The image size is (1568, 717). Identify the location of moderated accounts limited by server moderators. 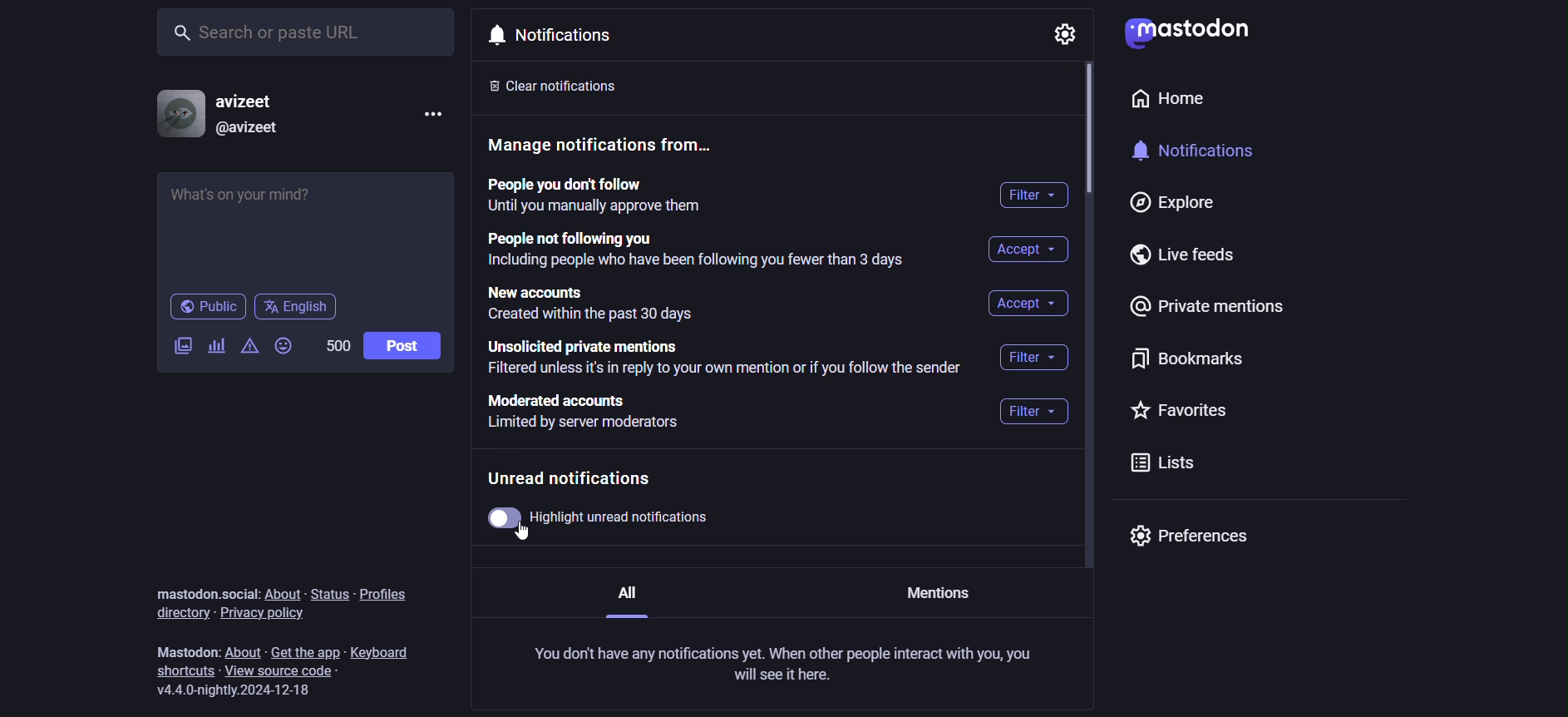
(594, 413).